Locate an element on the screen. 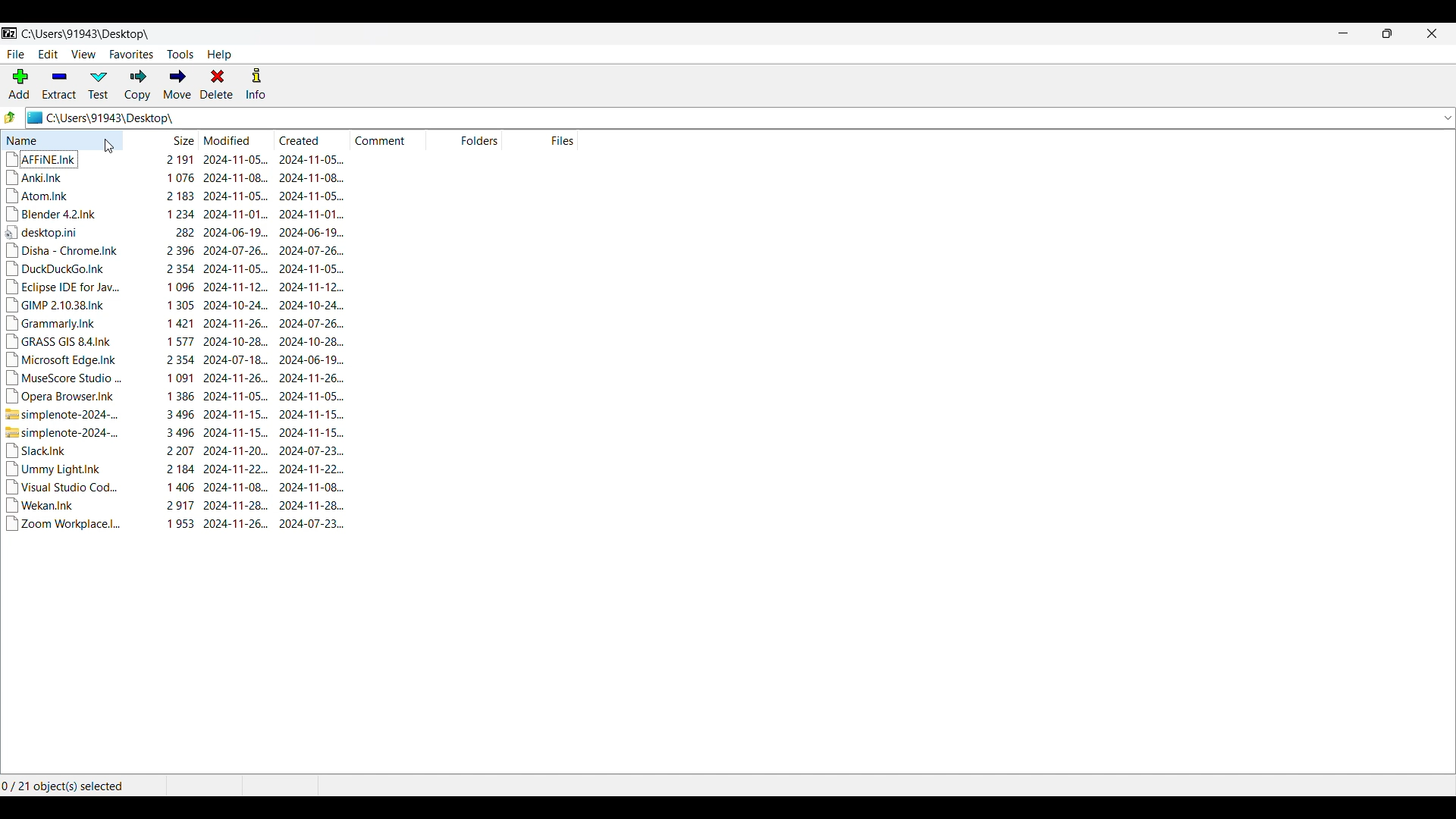  Size  is located at coordinates (183, 140).